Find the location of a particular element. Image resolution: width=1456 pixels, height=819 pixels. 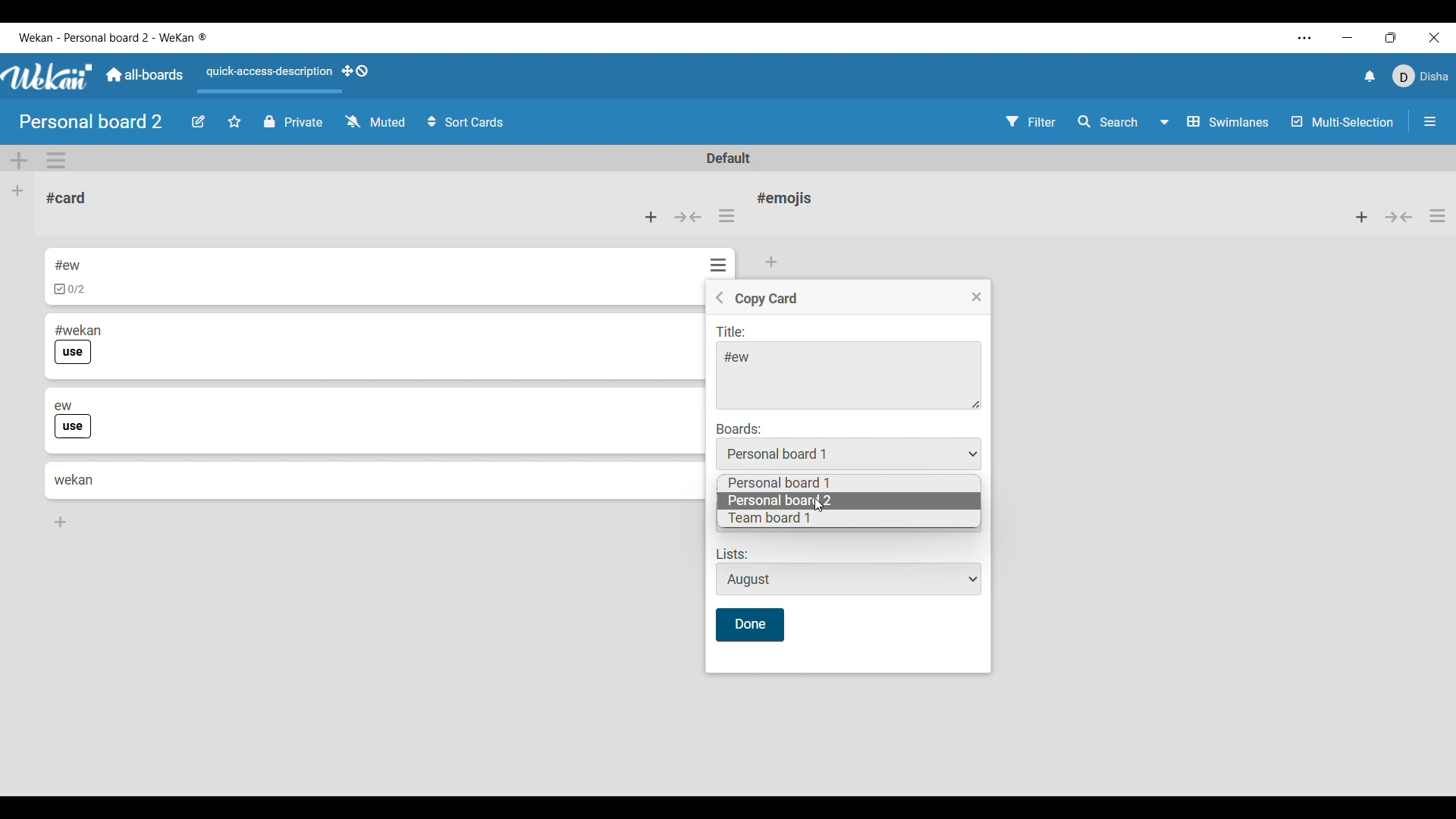

Filter is located at coordinates (1031, 121).